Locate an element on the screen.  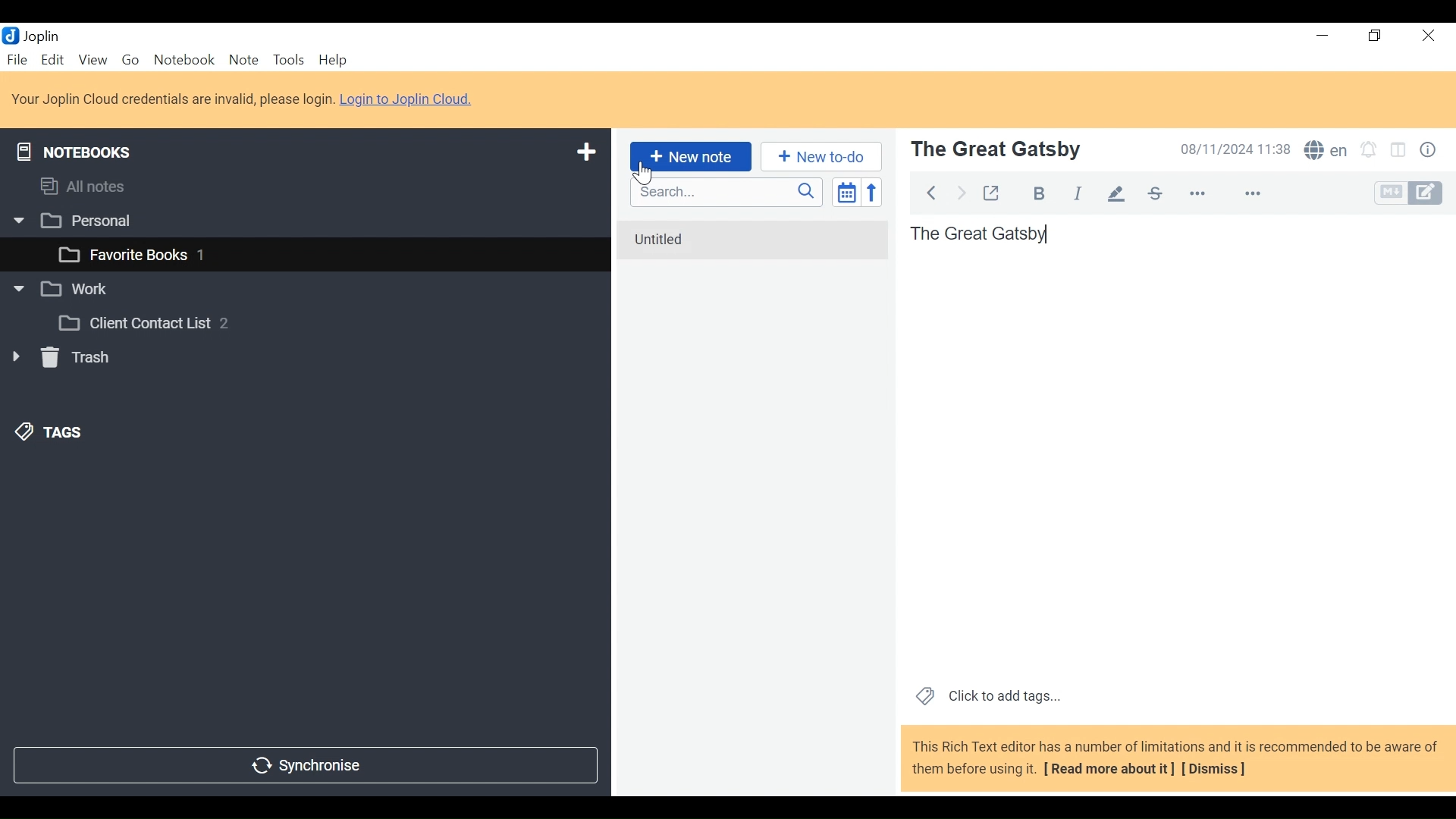
Synchronise is located at coordinates (308, 765).